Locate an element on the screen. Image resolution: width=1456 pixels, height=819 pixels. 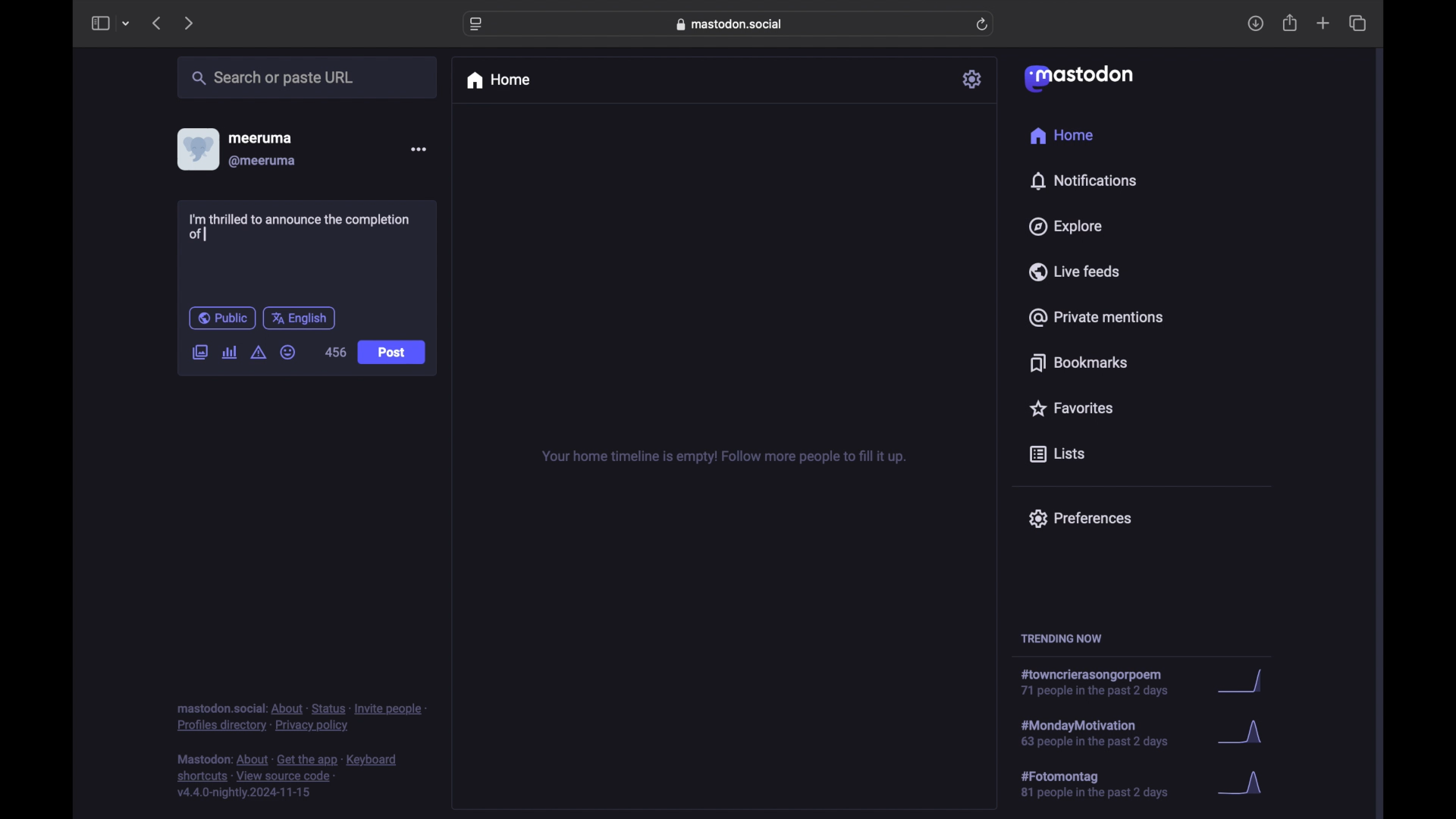
hashtag  trend is located at coordinates (1109, 732).